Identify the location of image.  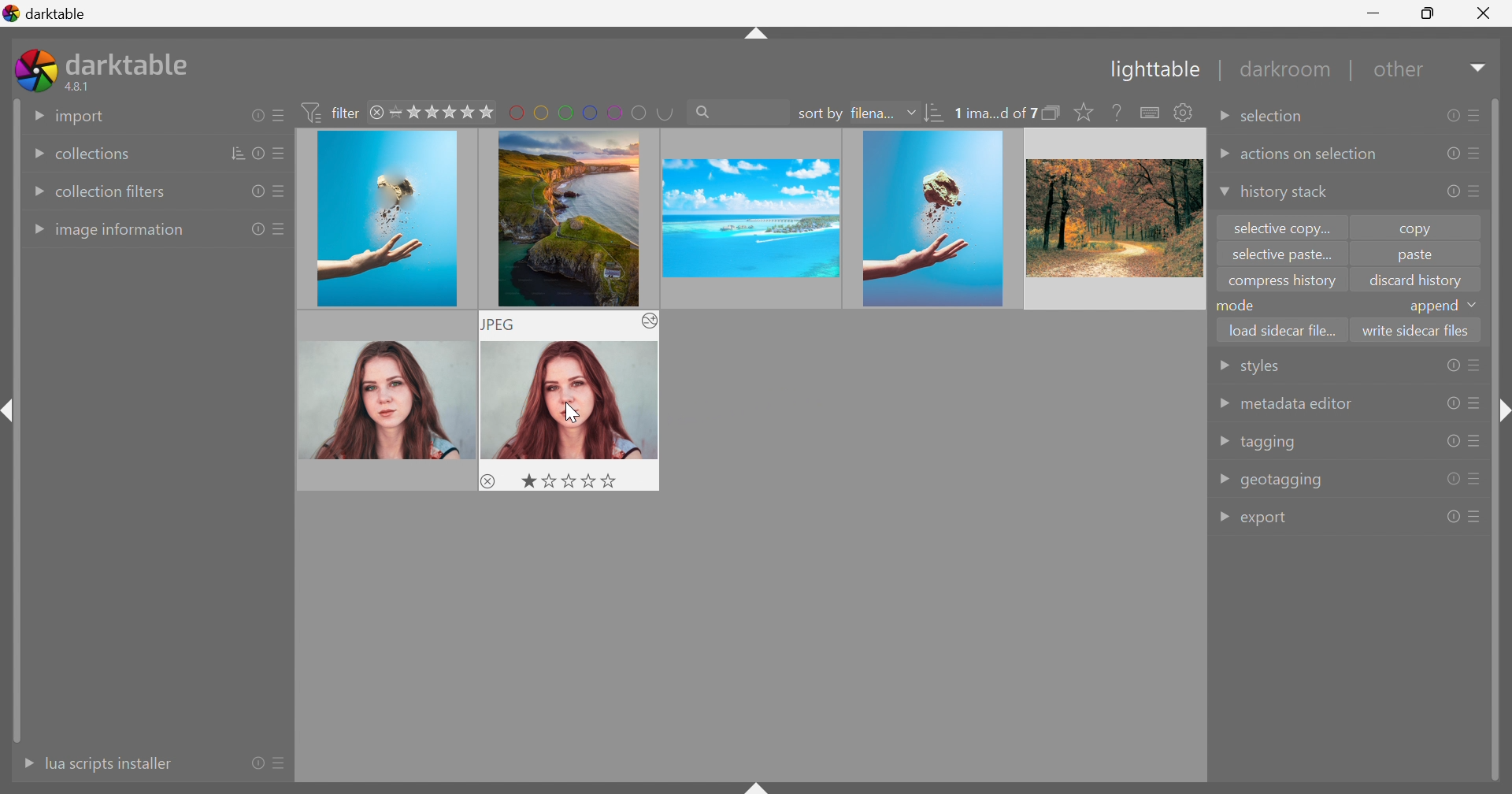
(748, 218).